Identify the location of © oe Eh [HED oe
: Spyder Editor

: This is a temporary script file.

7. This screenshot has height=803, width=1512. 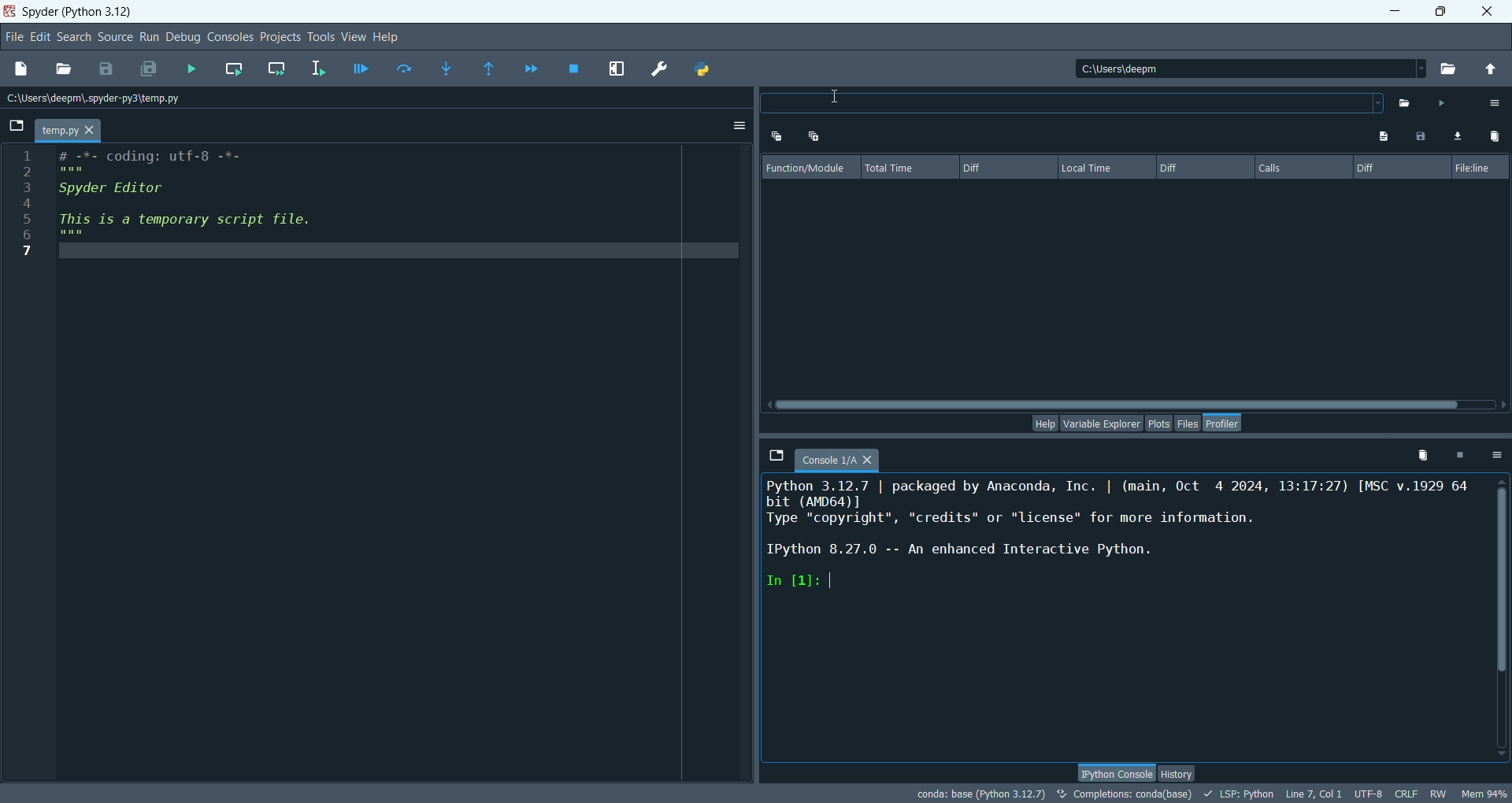
(172, 212).